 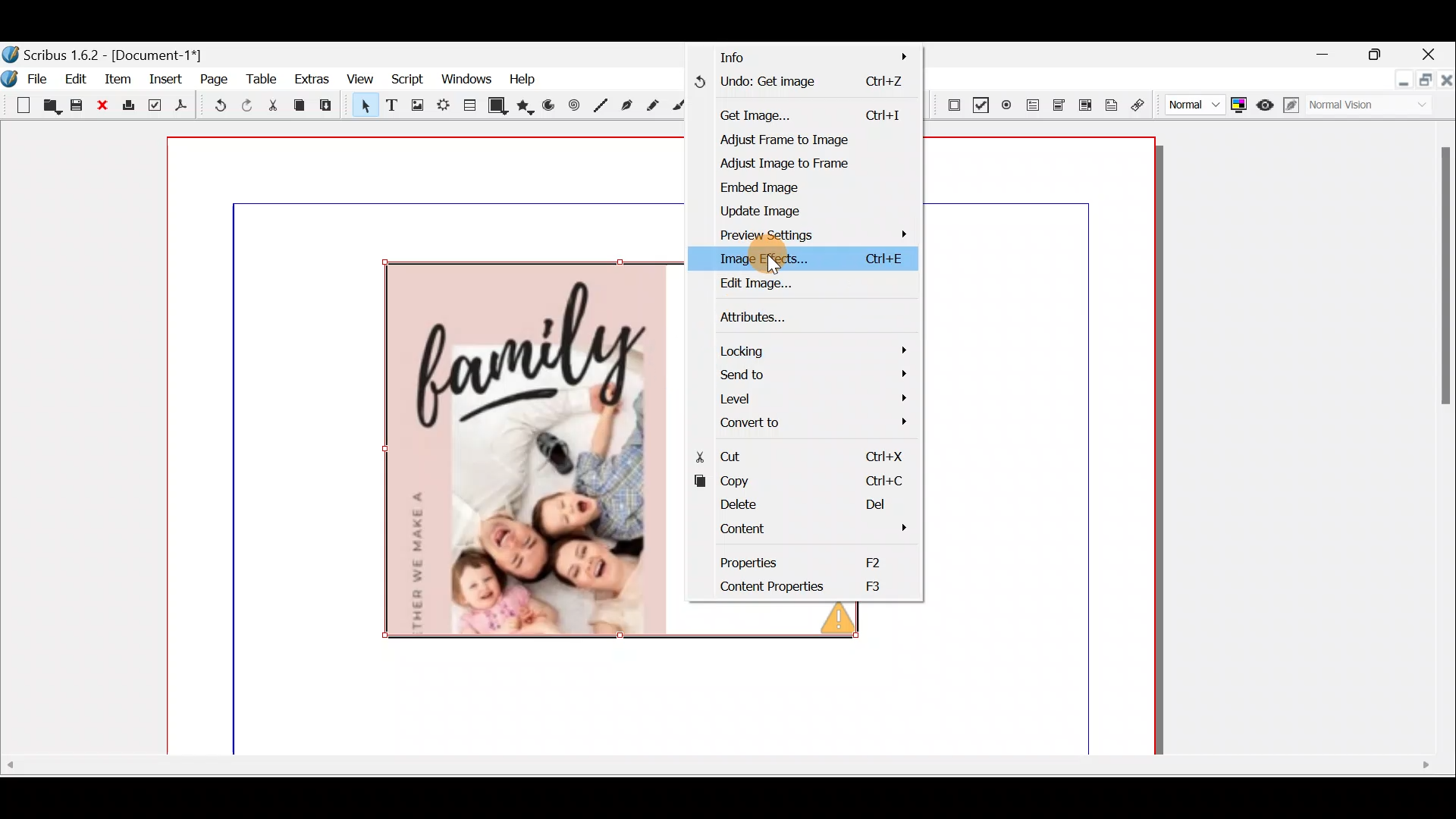 I want to click on PDF text field, so click(x=1032, y=105).